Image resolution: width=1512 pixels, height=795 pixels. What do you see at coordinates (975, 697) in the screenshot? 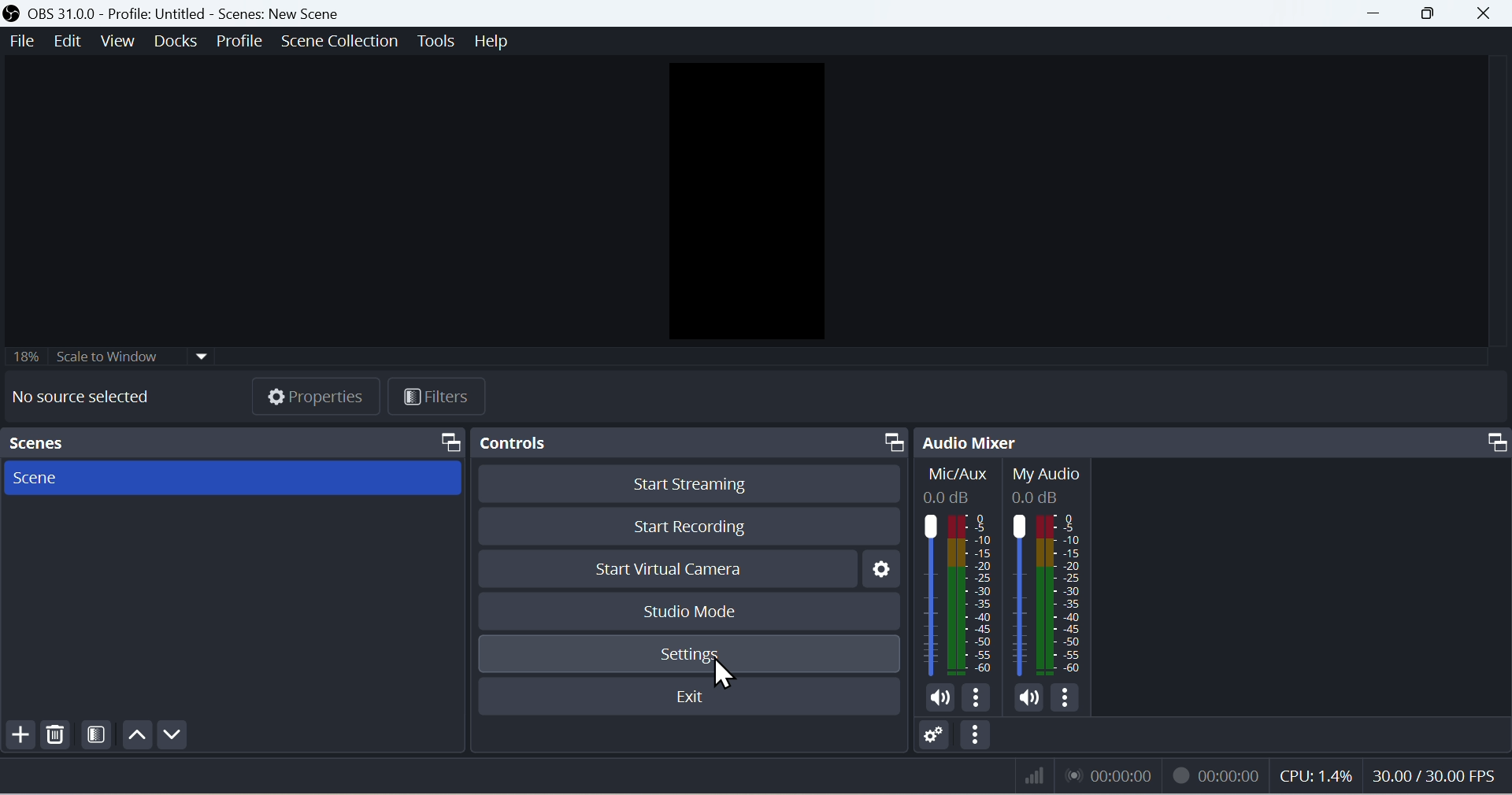
I see `more` at bounding box center [975, 697].